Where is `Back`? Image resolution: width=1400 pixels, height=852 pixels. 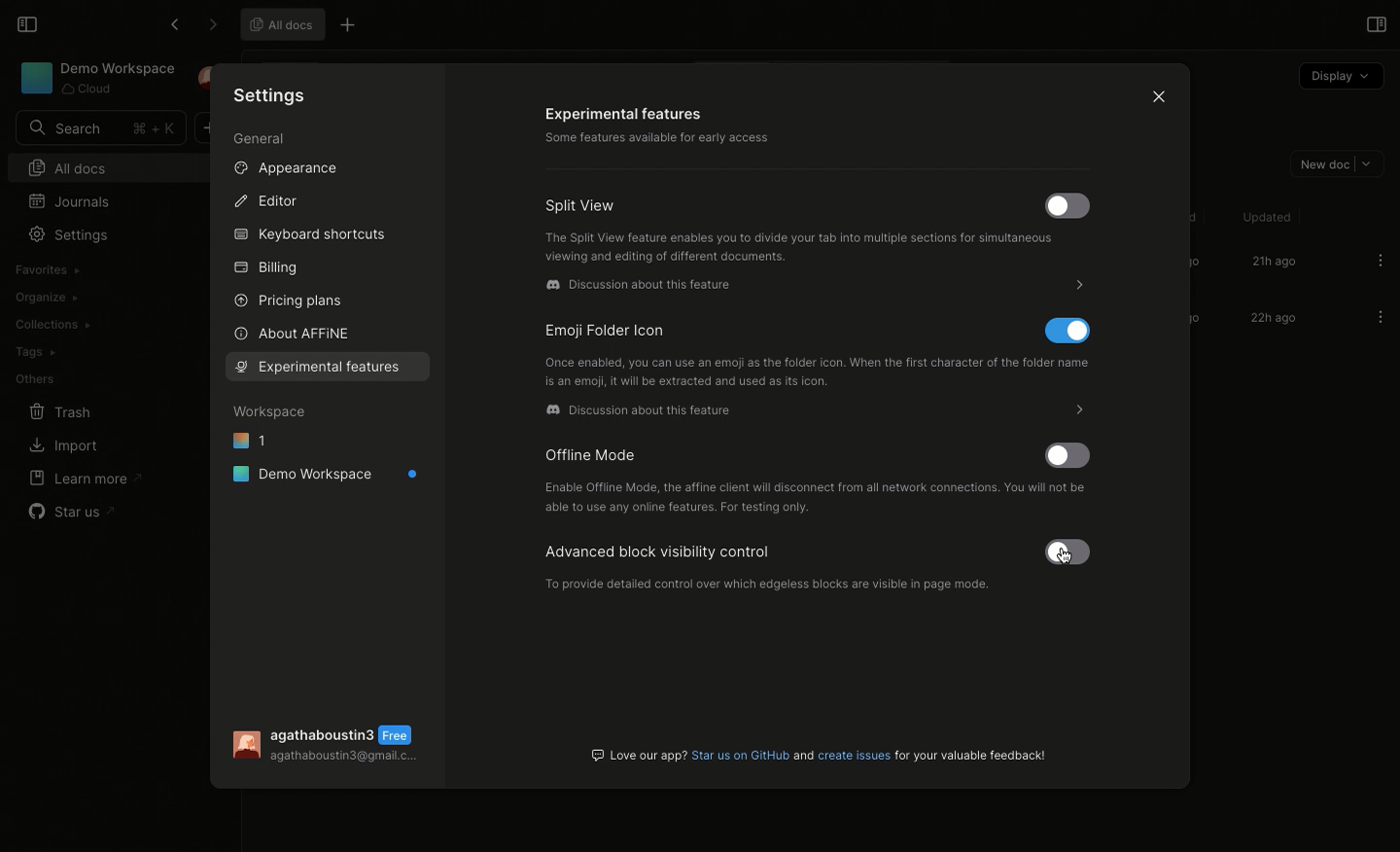
Back is located at coordinates (174, 24).